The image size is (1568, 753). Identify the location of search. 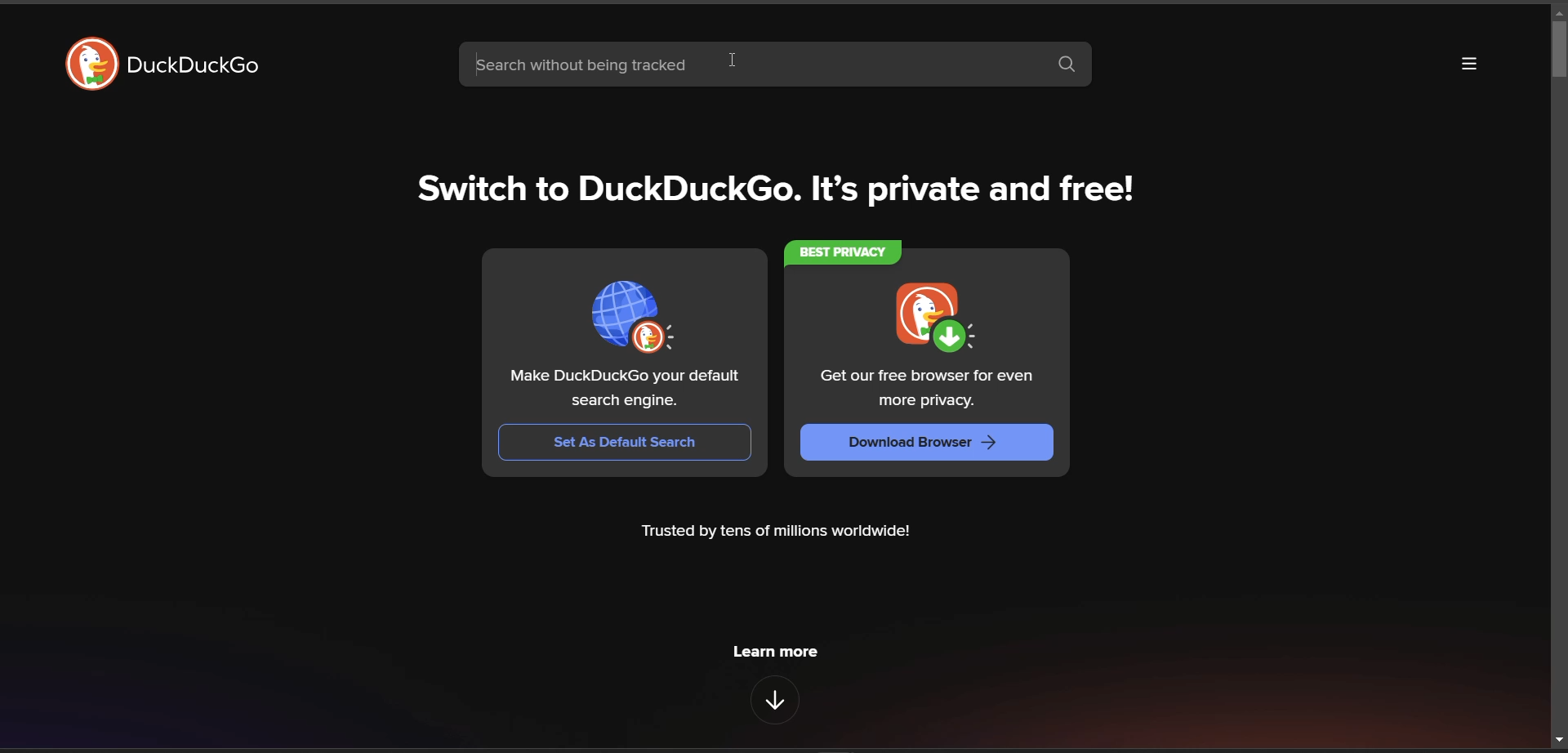
(1071, 65).